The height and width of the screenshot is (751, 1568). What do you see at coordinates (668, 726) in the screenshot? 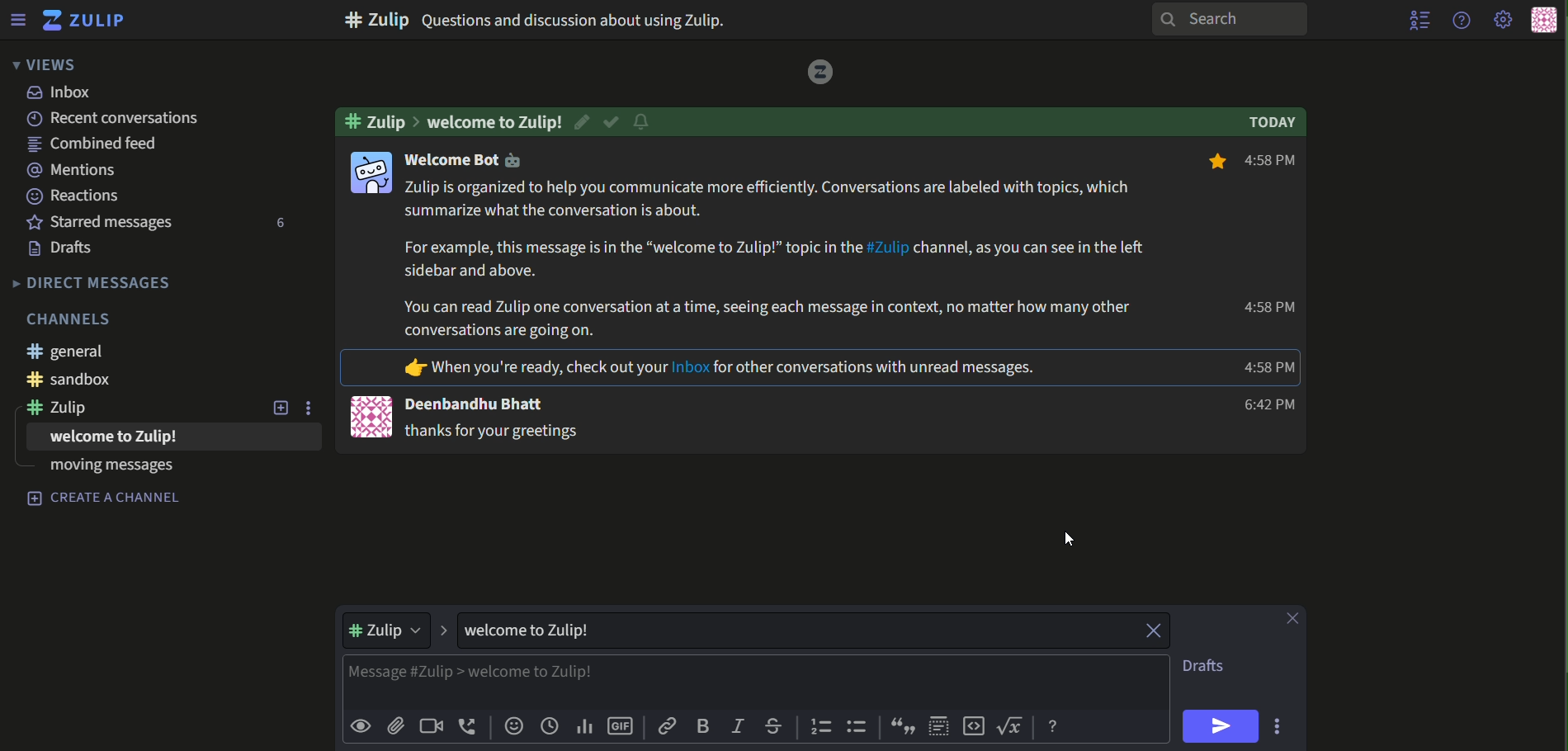
I see `link` at bounding box center [668, 726].